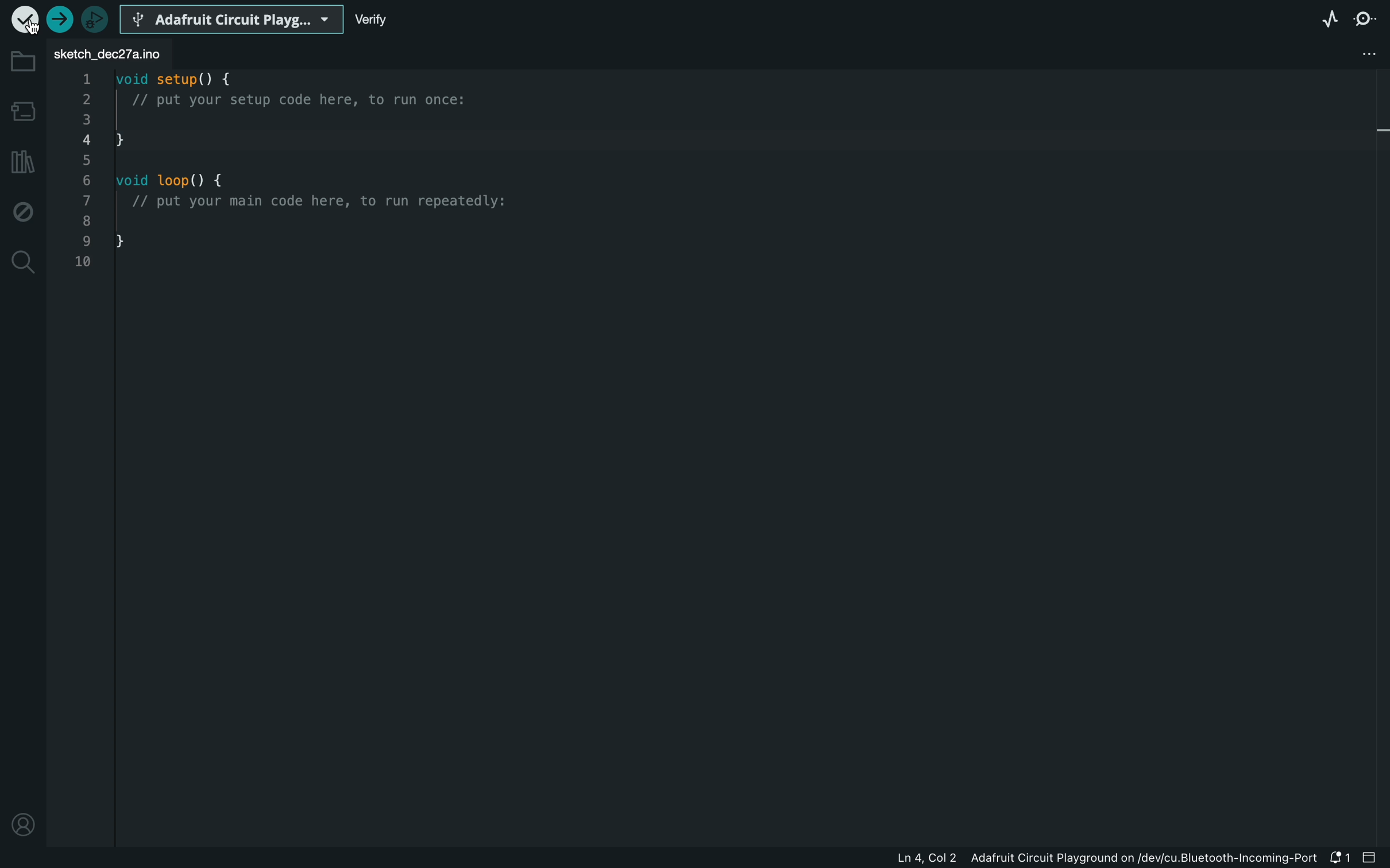  Describe the element at coordinates (1362, 55) in the screenshot. I see `file setting` at that location.